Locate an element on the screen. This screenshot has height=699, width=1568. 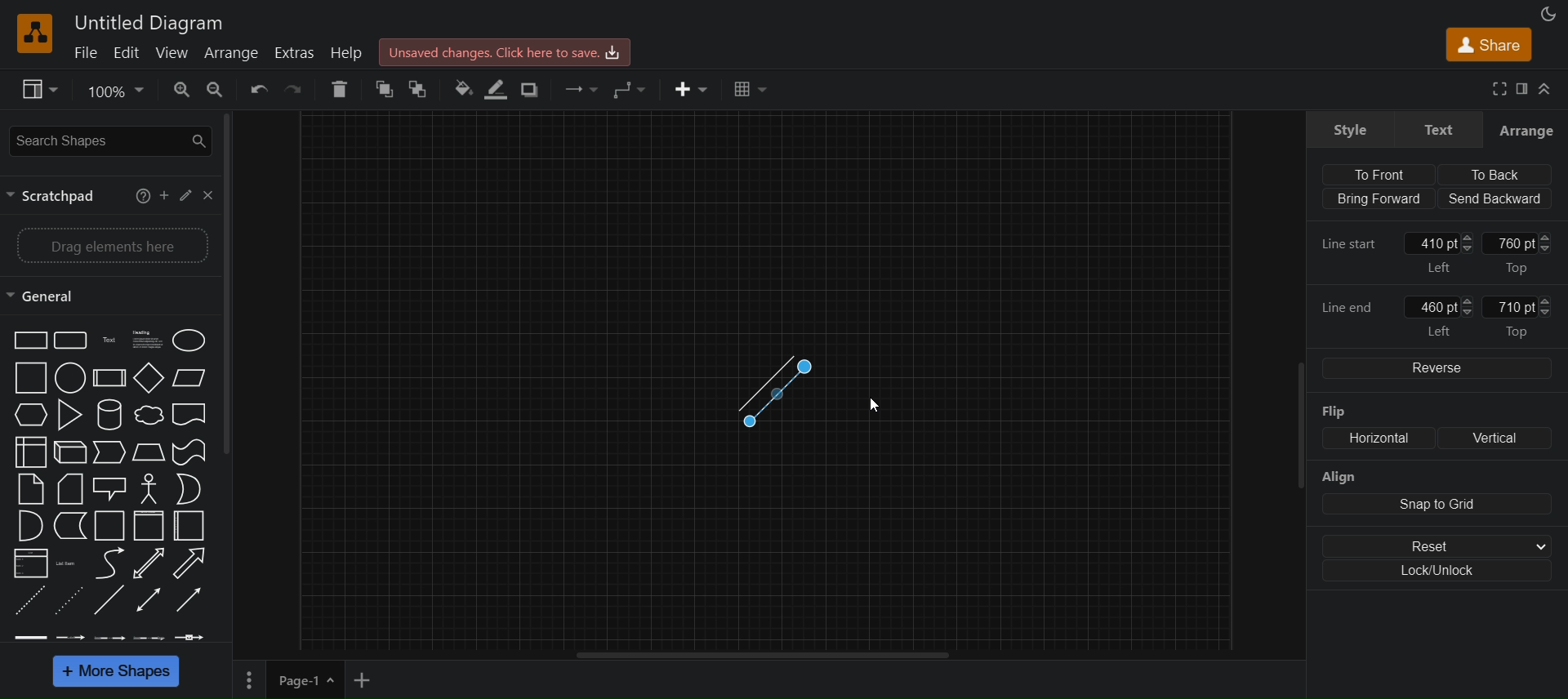
410 pt left is located at coordinates (1442, 252).